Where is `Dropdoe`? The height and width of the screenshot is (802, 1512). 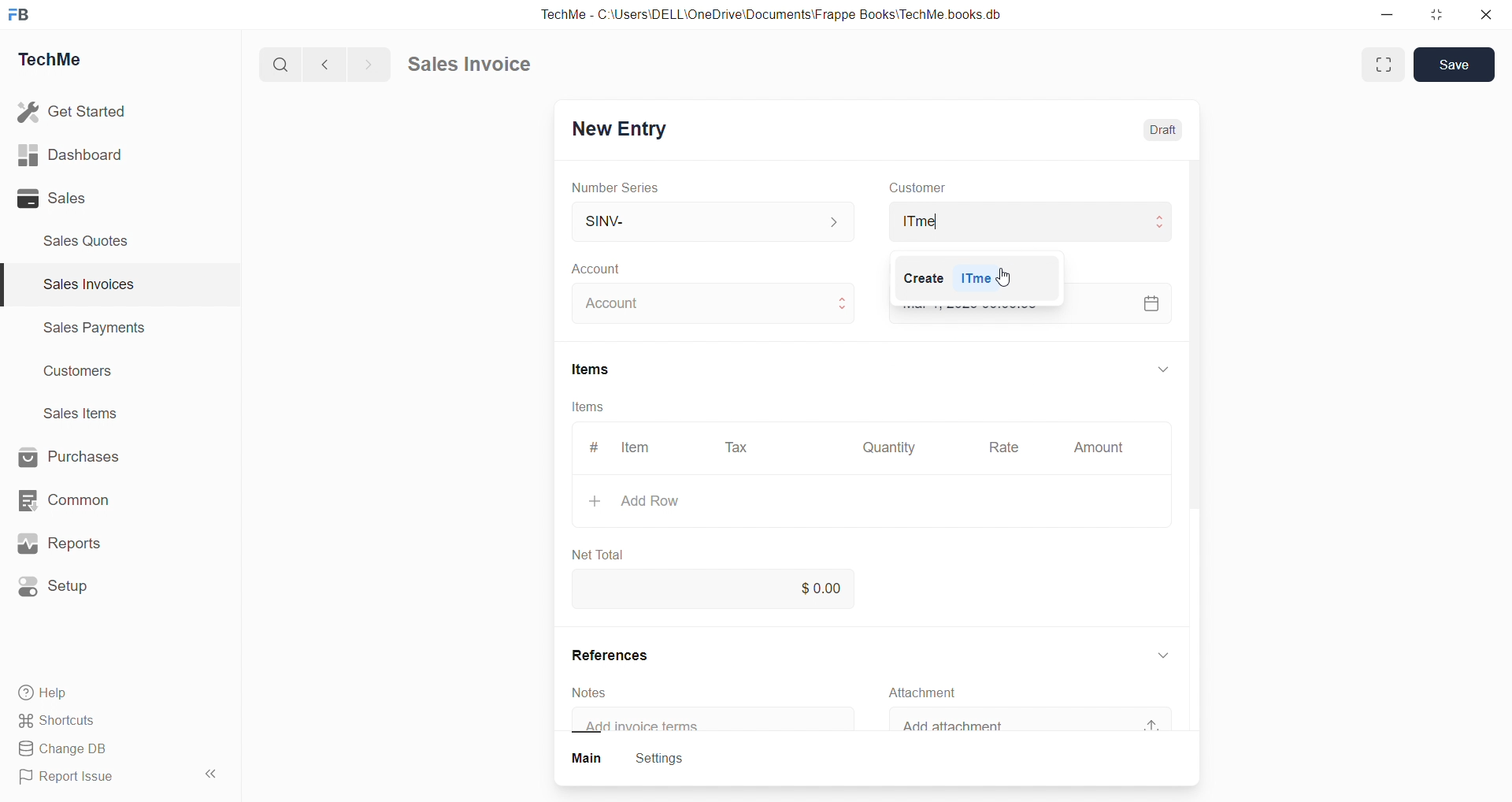 Dropdoe is located at coordinates (1169, 652).